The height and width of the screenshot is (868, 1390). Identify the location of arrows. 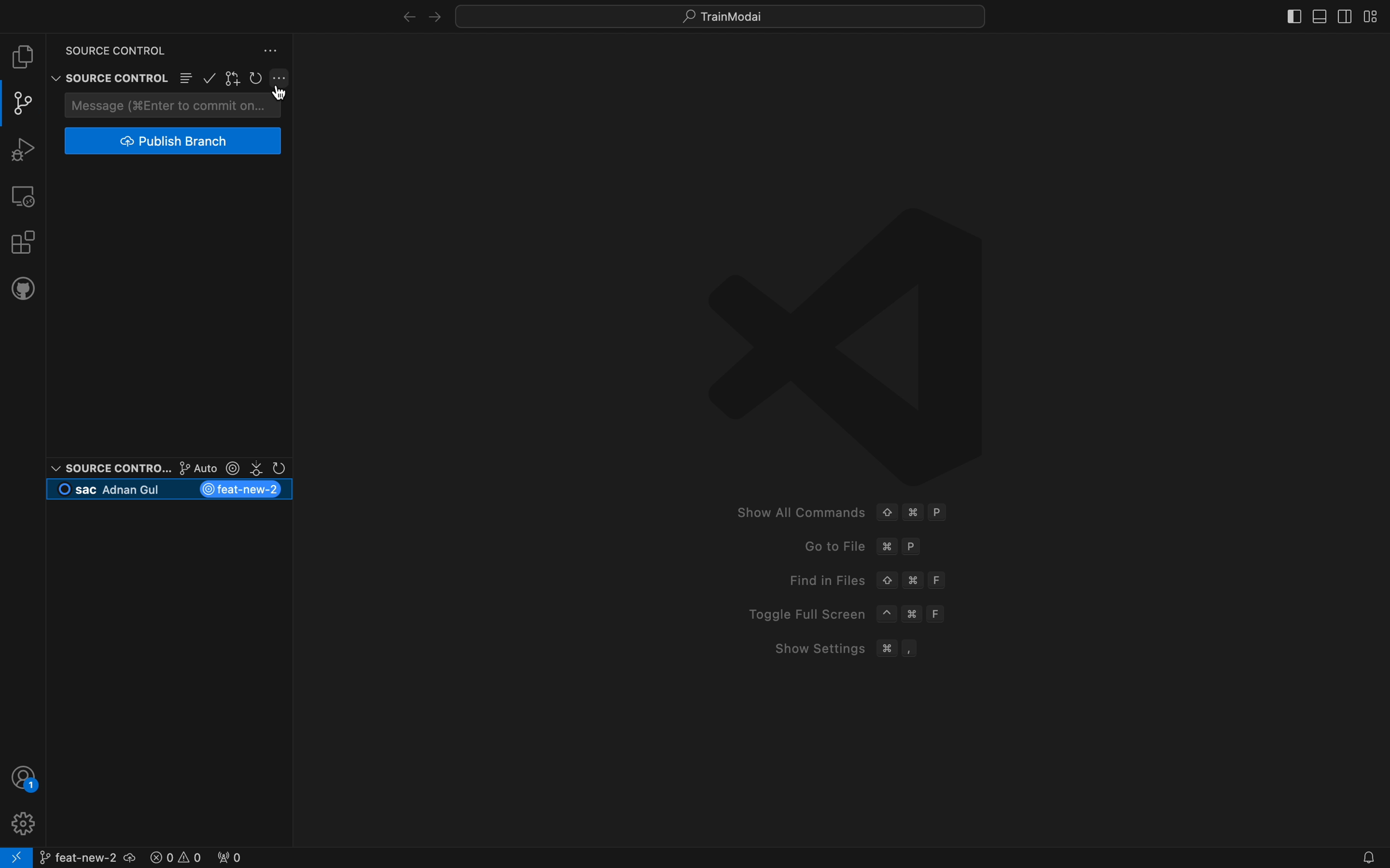
(416, 15).